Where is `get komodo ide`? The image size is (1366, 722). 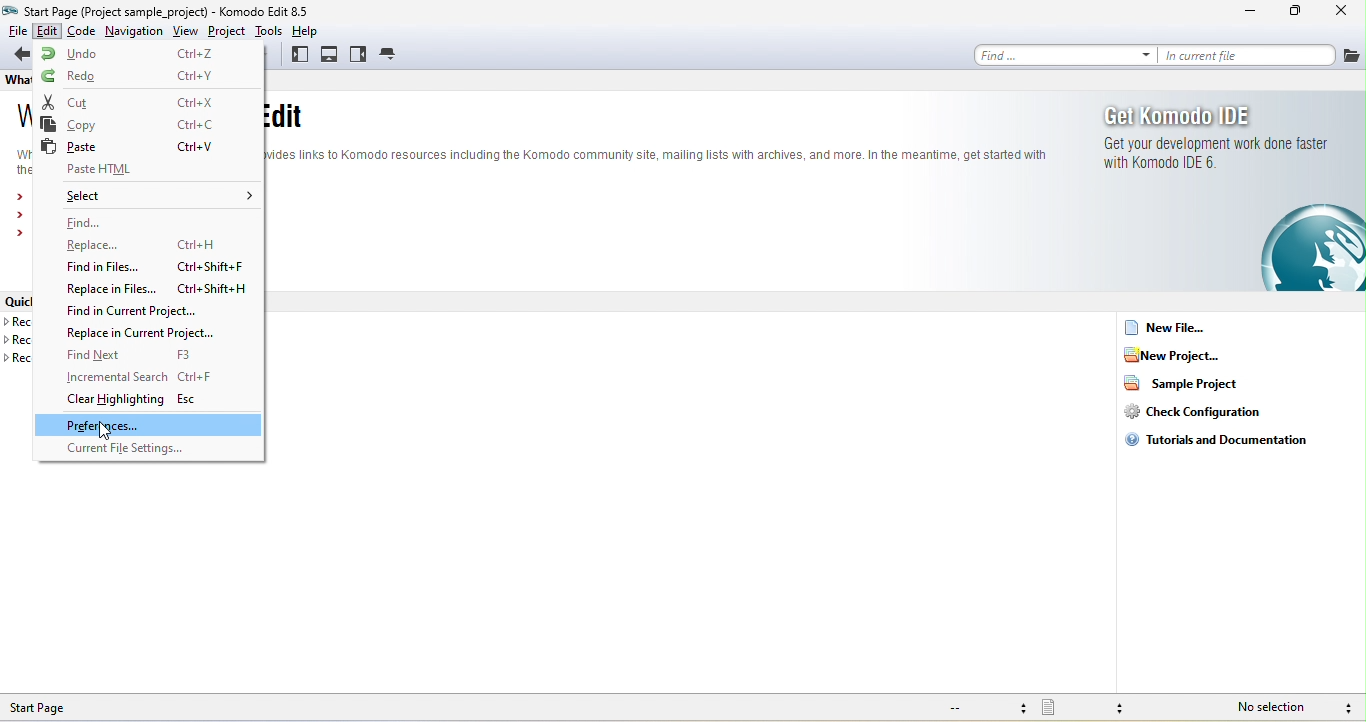 get komodo ide is located at coordinates (1229, 195).